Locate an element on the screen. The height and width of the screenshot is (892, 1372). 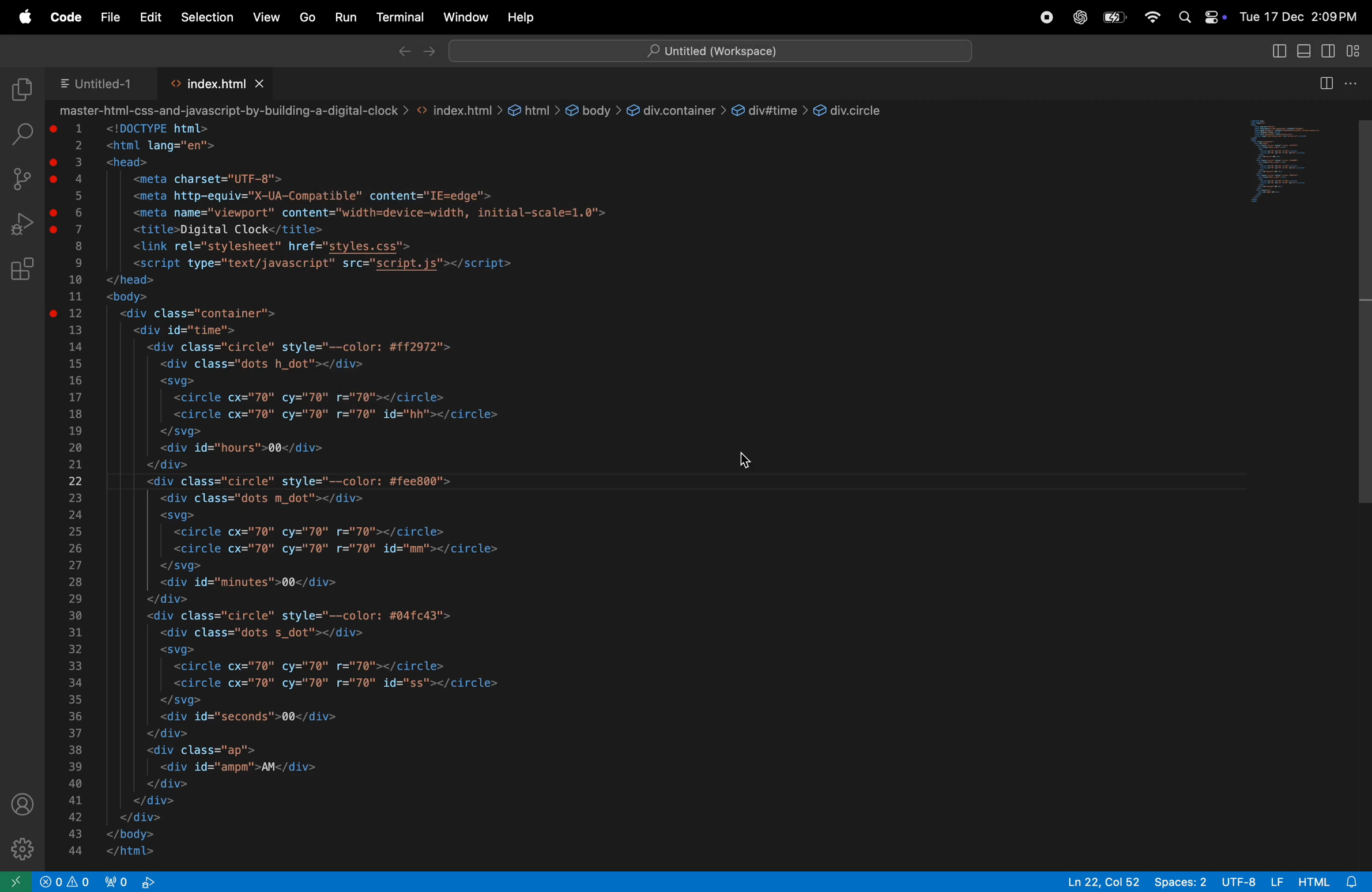
search is located at coordinates (21, 133).